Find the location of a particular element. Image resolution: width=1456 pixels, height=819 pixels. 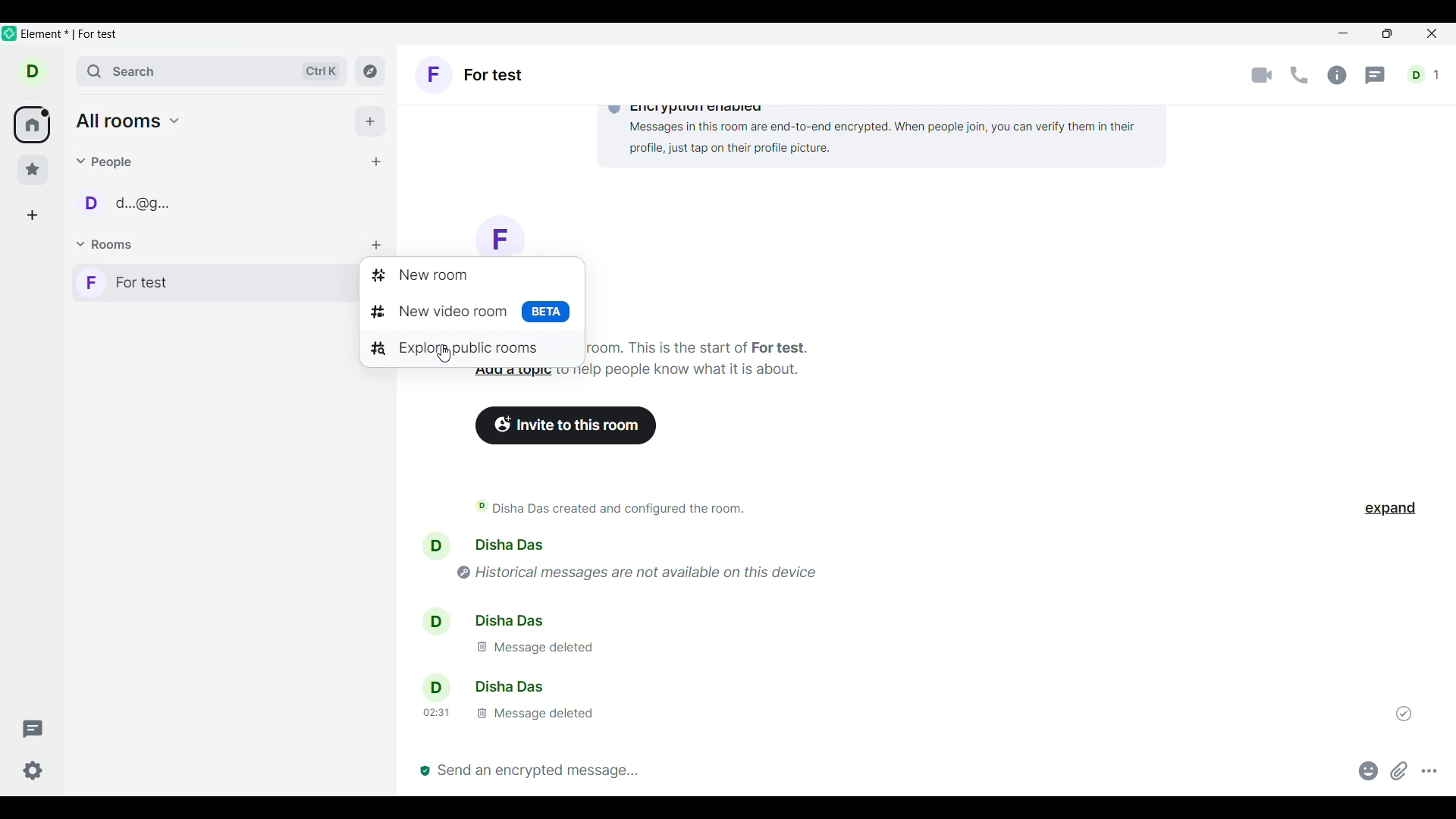

New room is located at coordinates (469, 278).